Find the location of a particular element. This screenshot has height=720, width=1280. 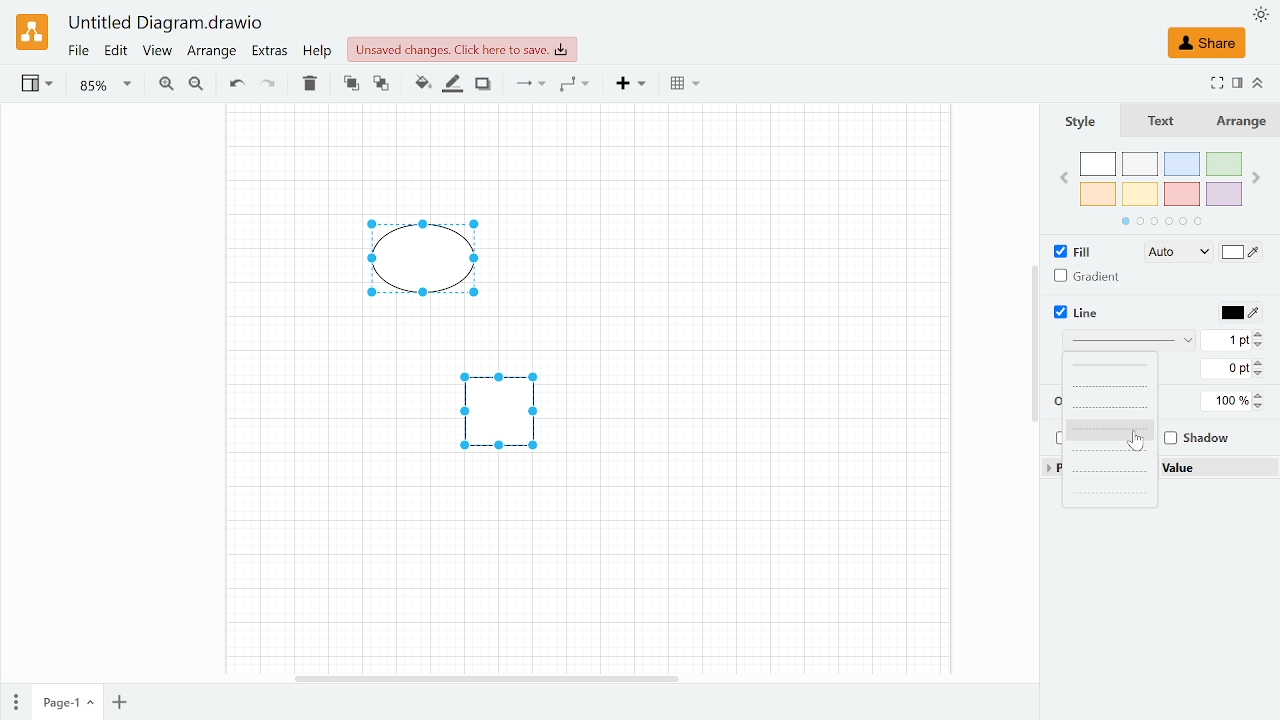

Value is located at coordinates (1194, 468).